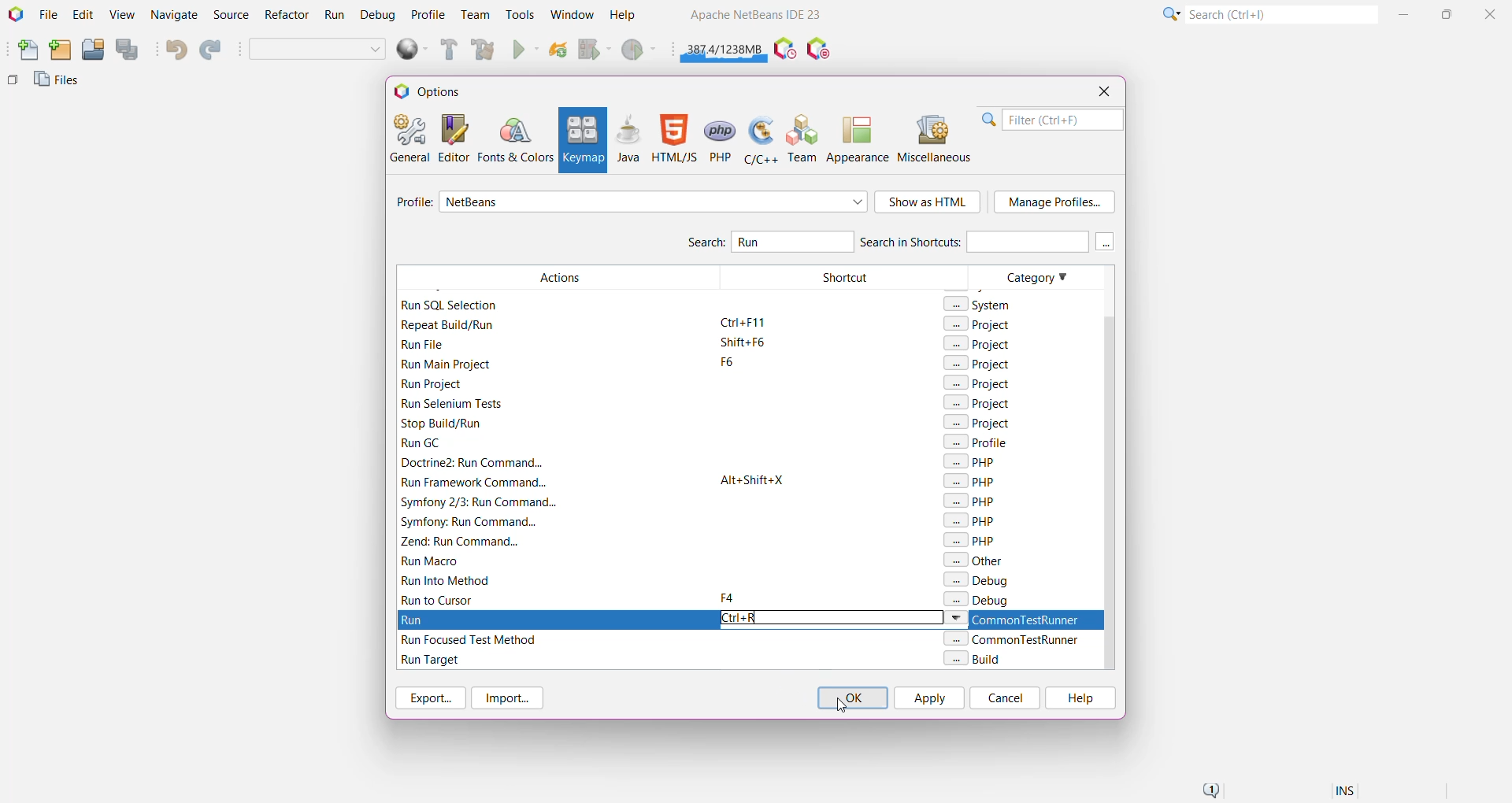 This screenshot has height=803, width=1512. I want to click on Help, so click(630, 17).